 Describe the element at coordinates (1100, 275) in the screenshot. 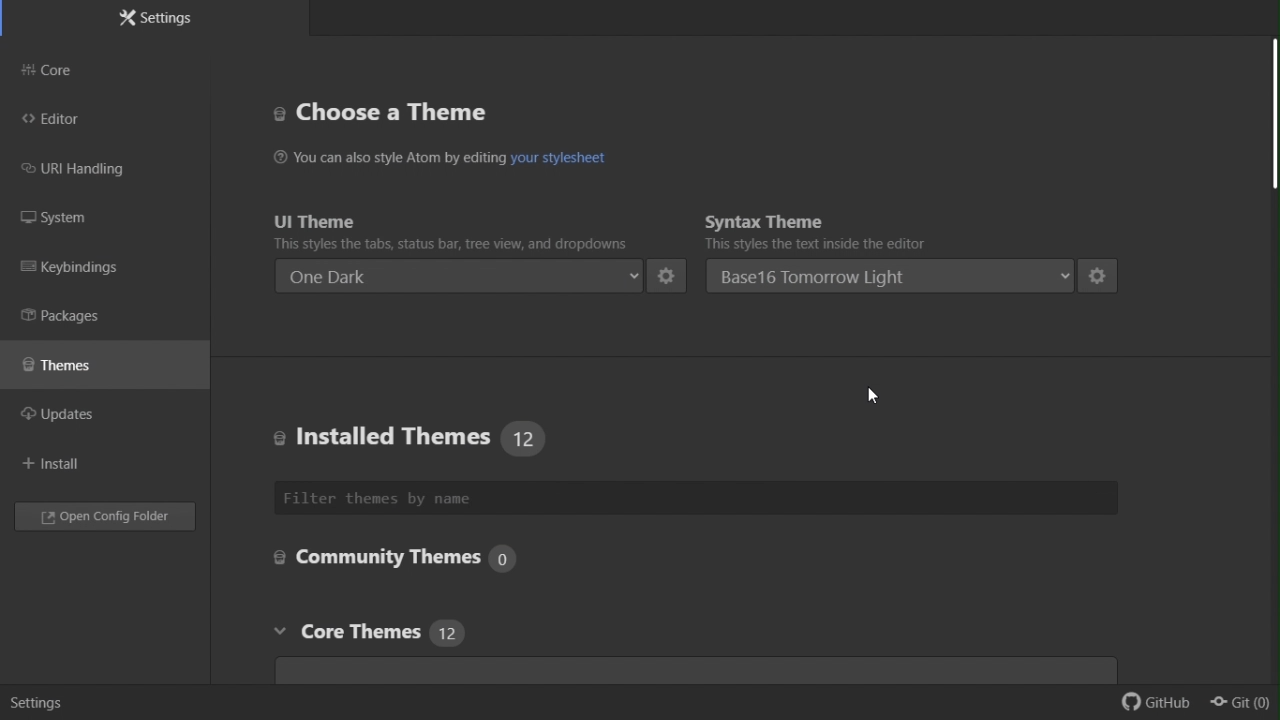

I see `settings` at that location.